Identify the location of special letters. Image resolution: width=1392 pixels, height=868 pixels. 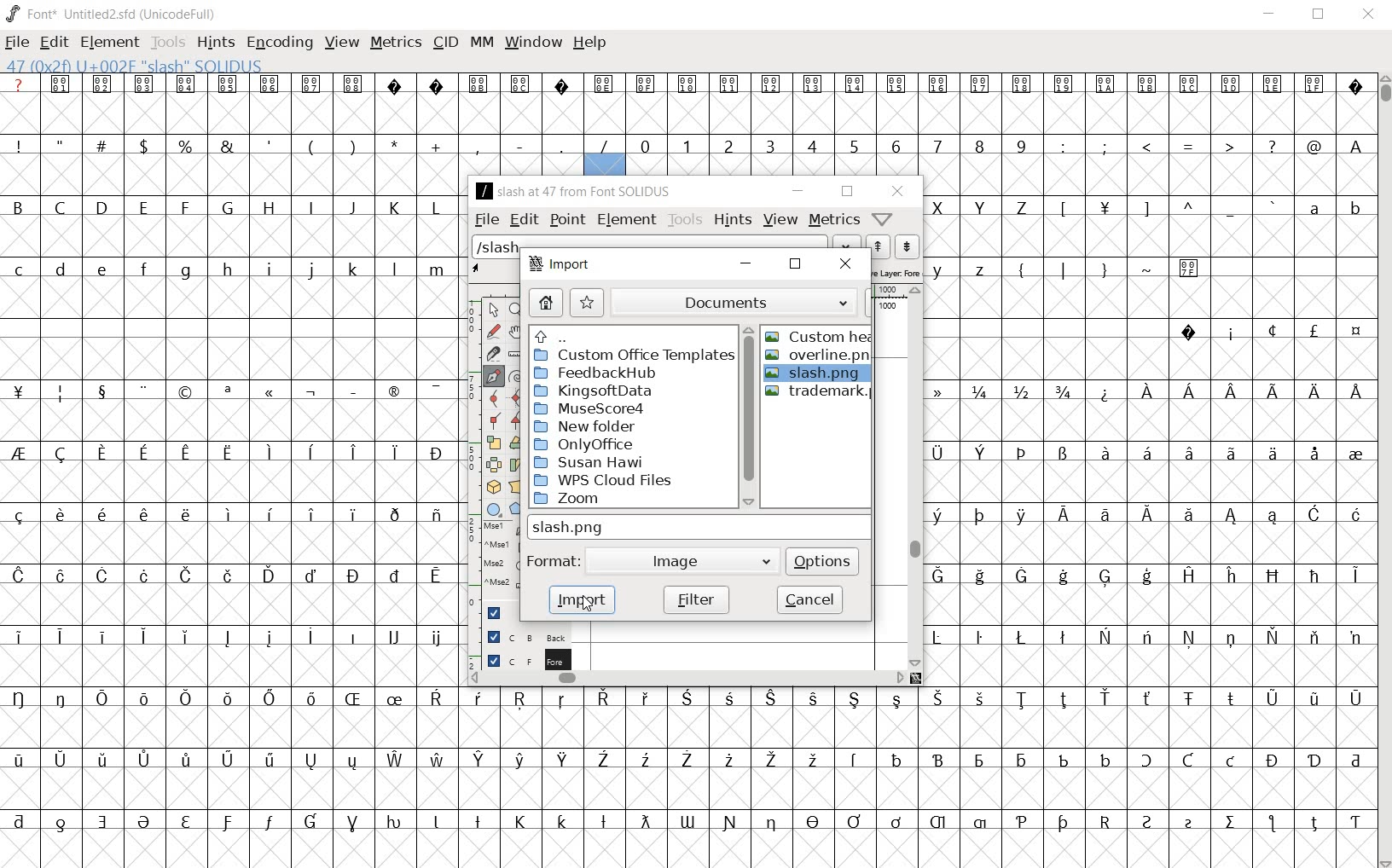
(233, 574).